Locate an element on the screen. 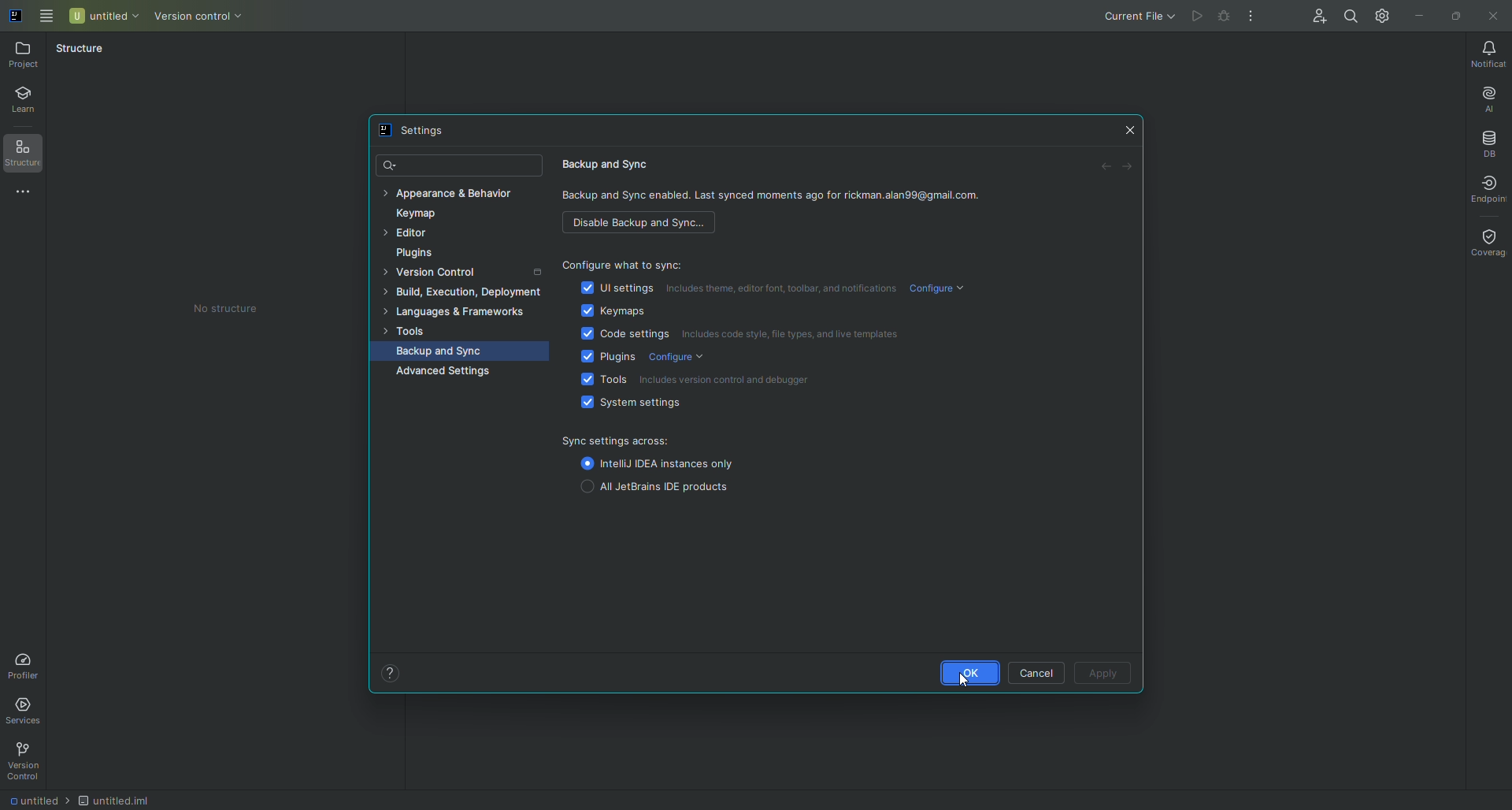 Image resolution: width=1512 pixels, height=810 pixels. ui settings includes theme, editor font, toolbar, and notifications is located at coordinates (736, 290).